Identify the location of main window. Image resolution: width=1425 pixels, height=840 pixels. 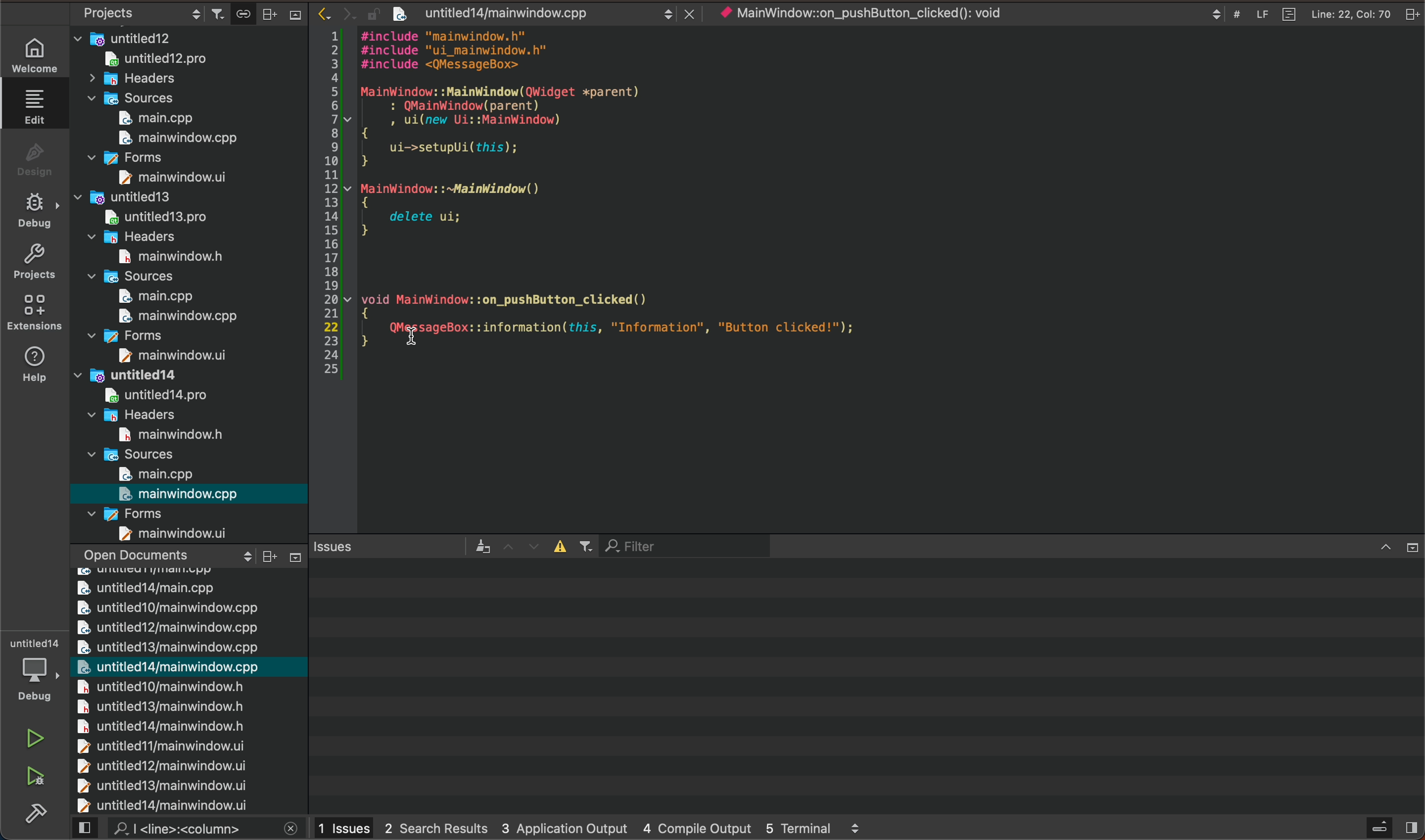
(165, 177).